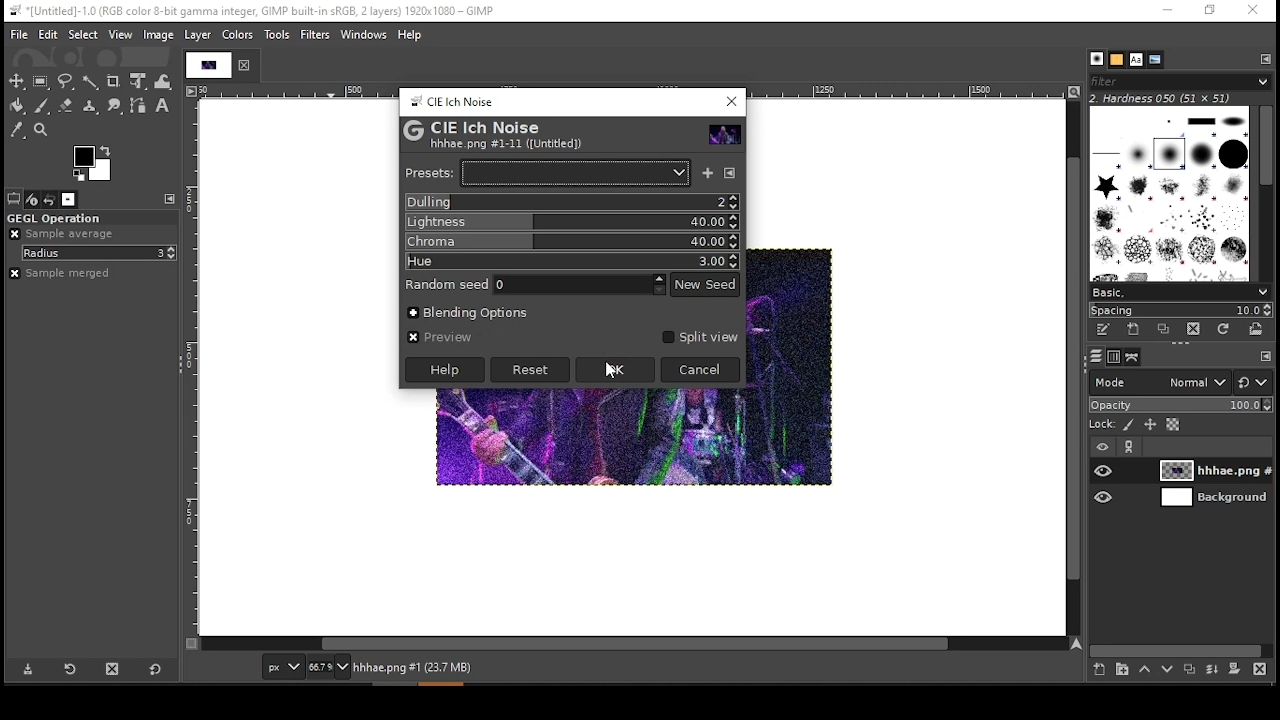  I want to click on chroma, so click(571, 241).